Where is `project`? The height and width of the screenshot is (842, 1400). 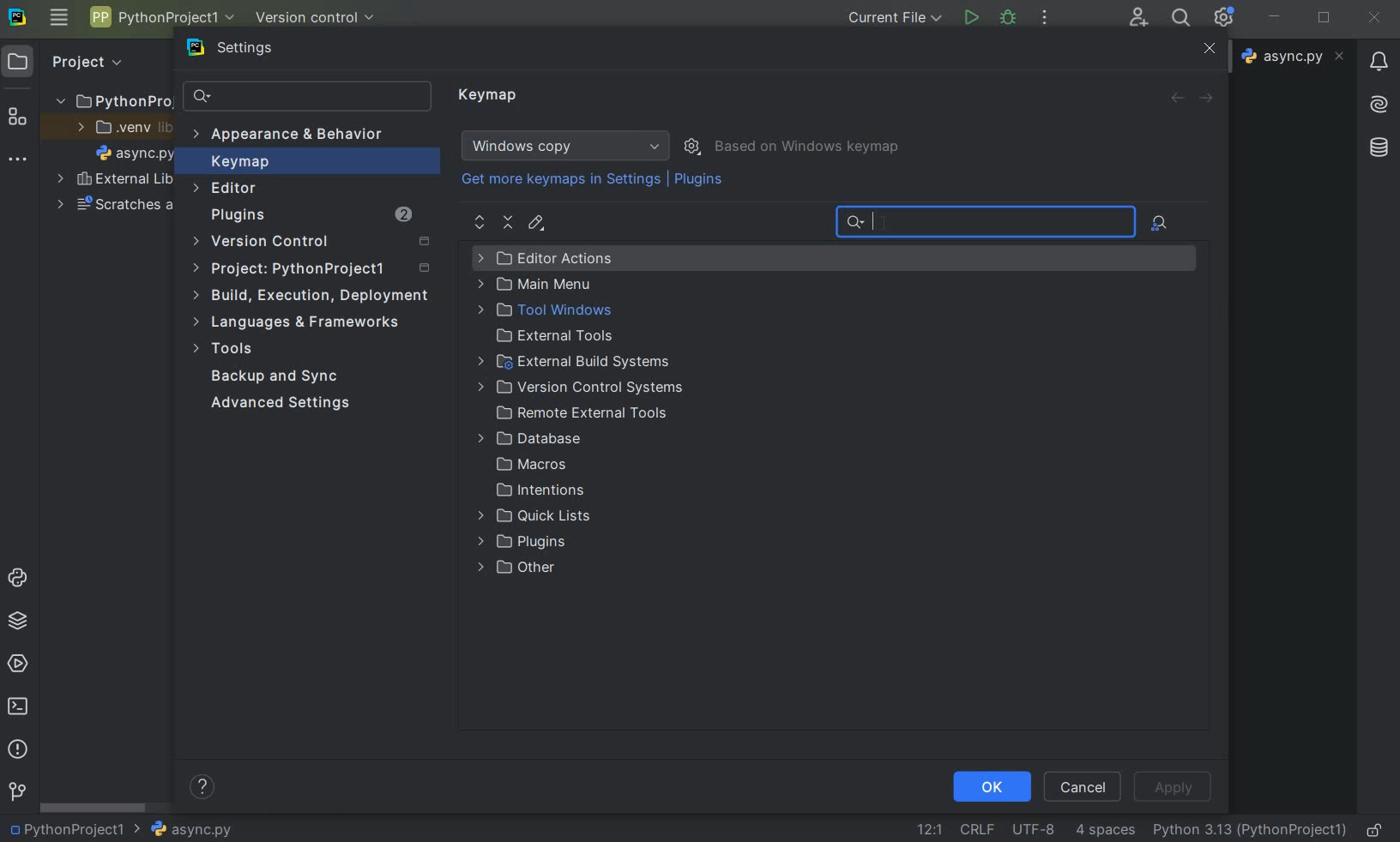 project is located at coordinates (314, 271).